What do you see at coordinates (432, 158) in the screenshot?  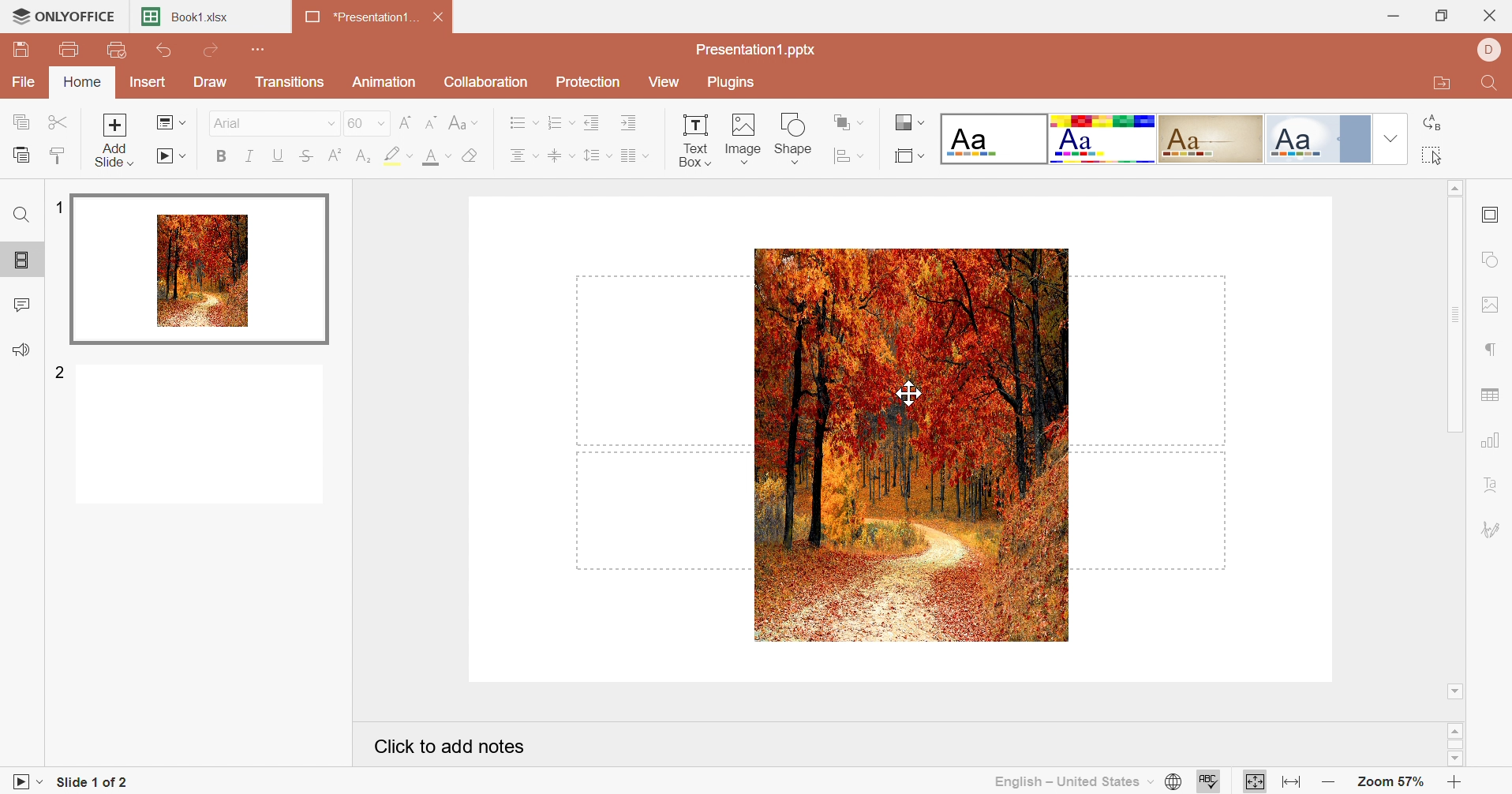 I see `Font color` at bounding box center [432, 158].